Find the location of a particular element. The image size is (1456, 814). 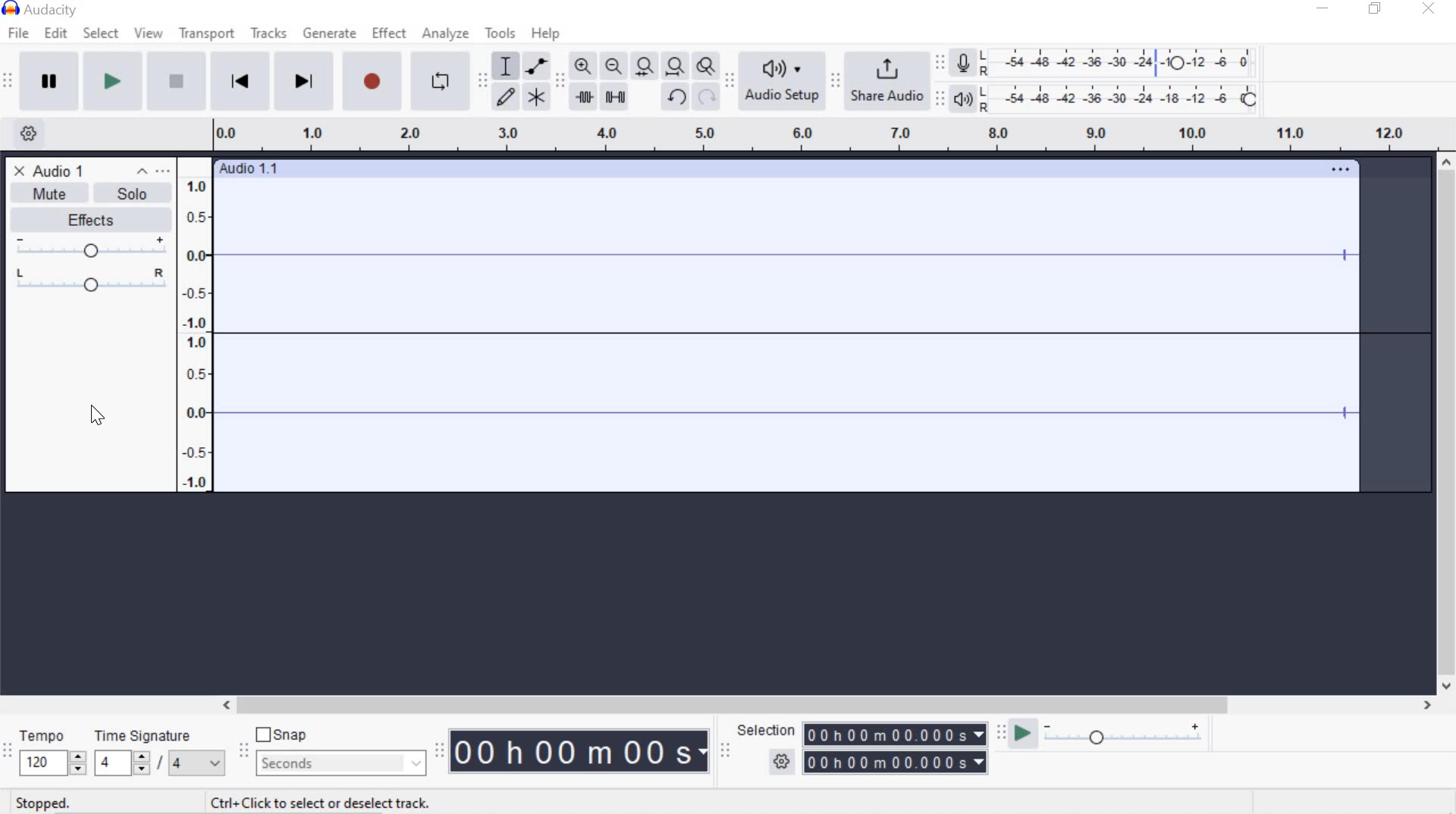

generate is located at coordinates (331, 34).